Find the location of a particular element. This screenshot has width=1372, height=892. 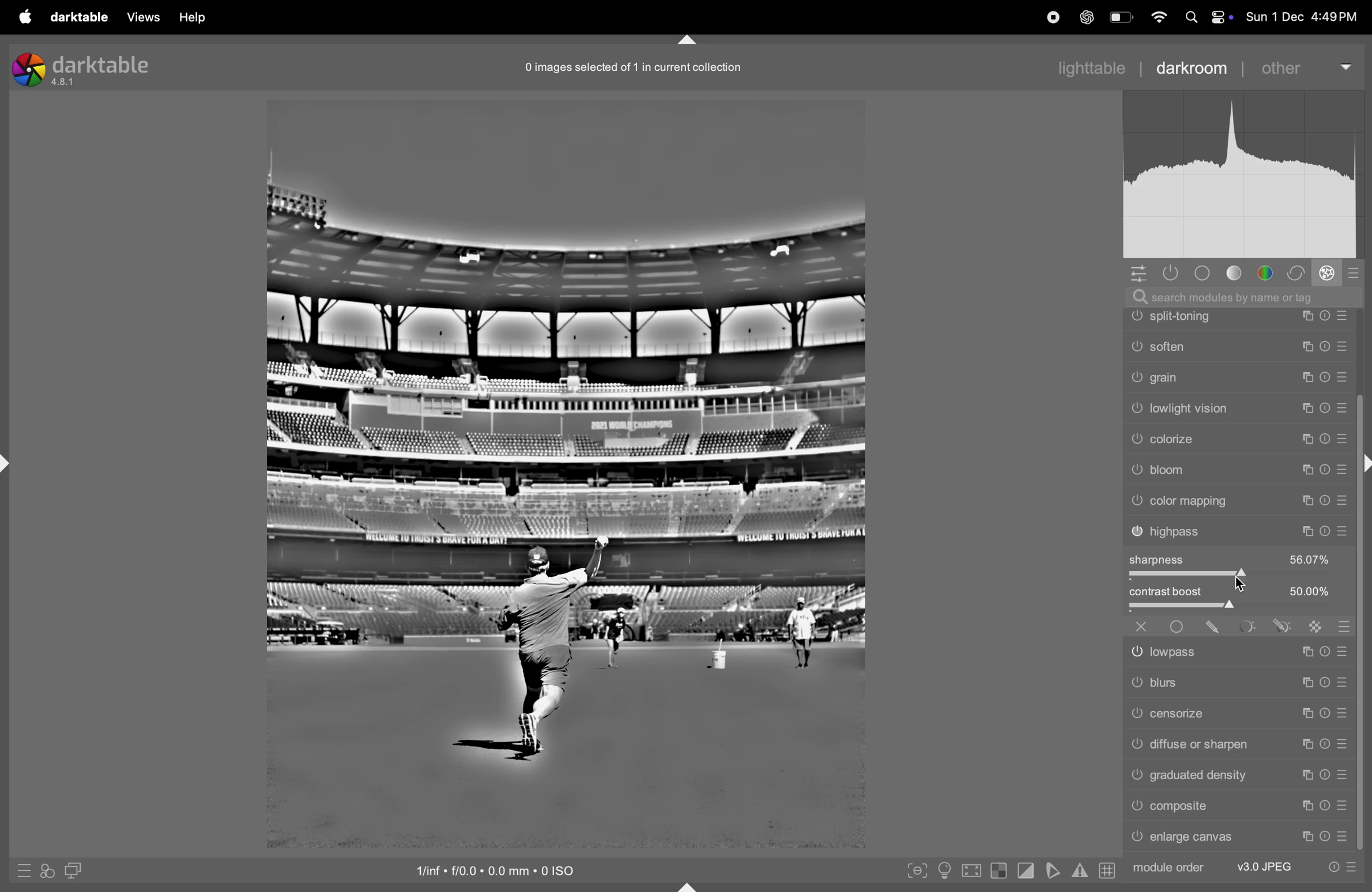

record is located at coordinates (1046, 17).